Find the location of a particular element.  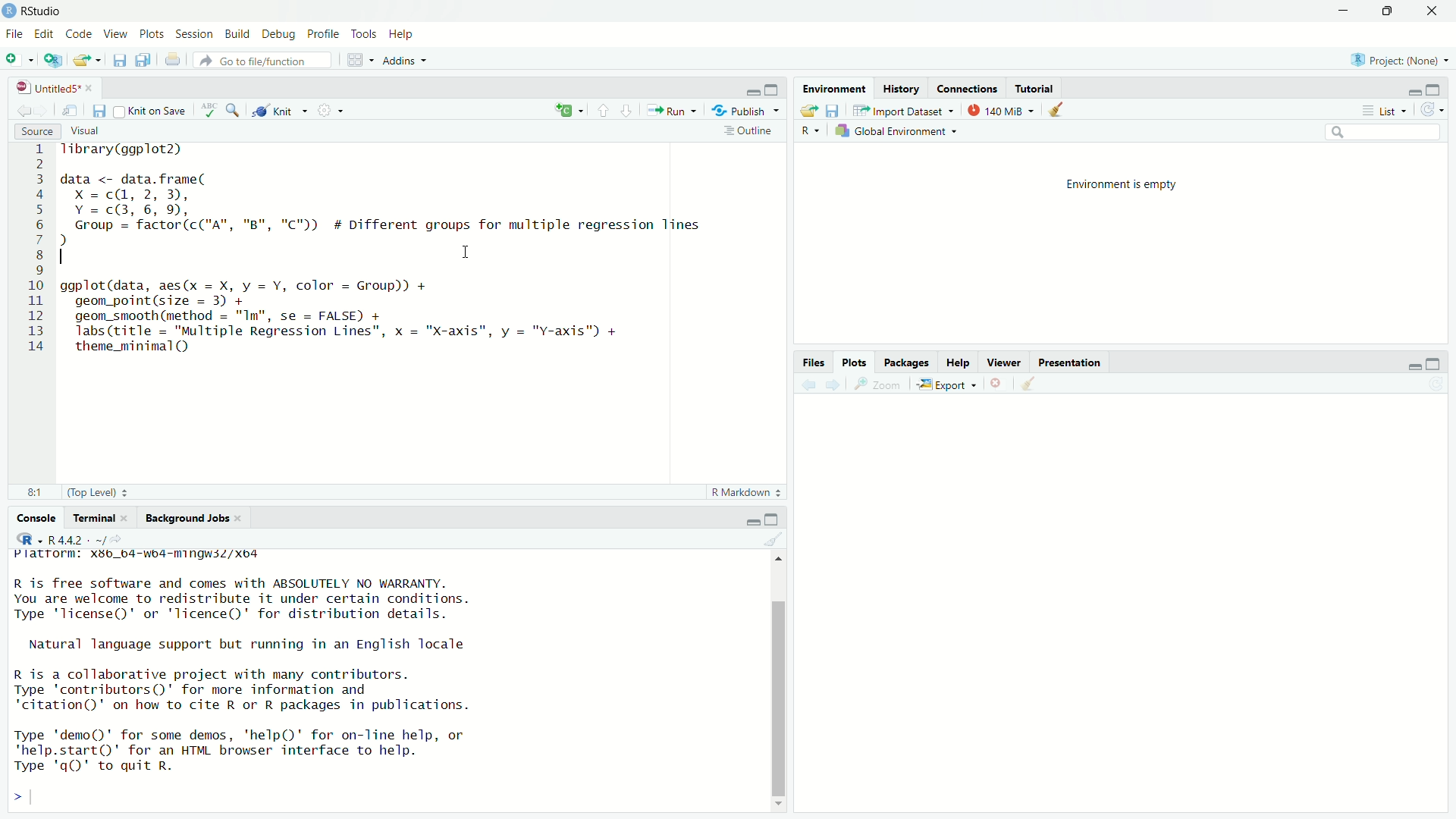

upward is located at coordinates (601, 109).